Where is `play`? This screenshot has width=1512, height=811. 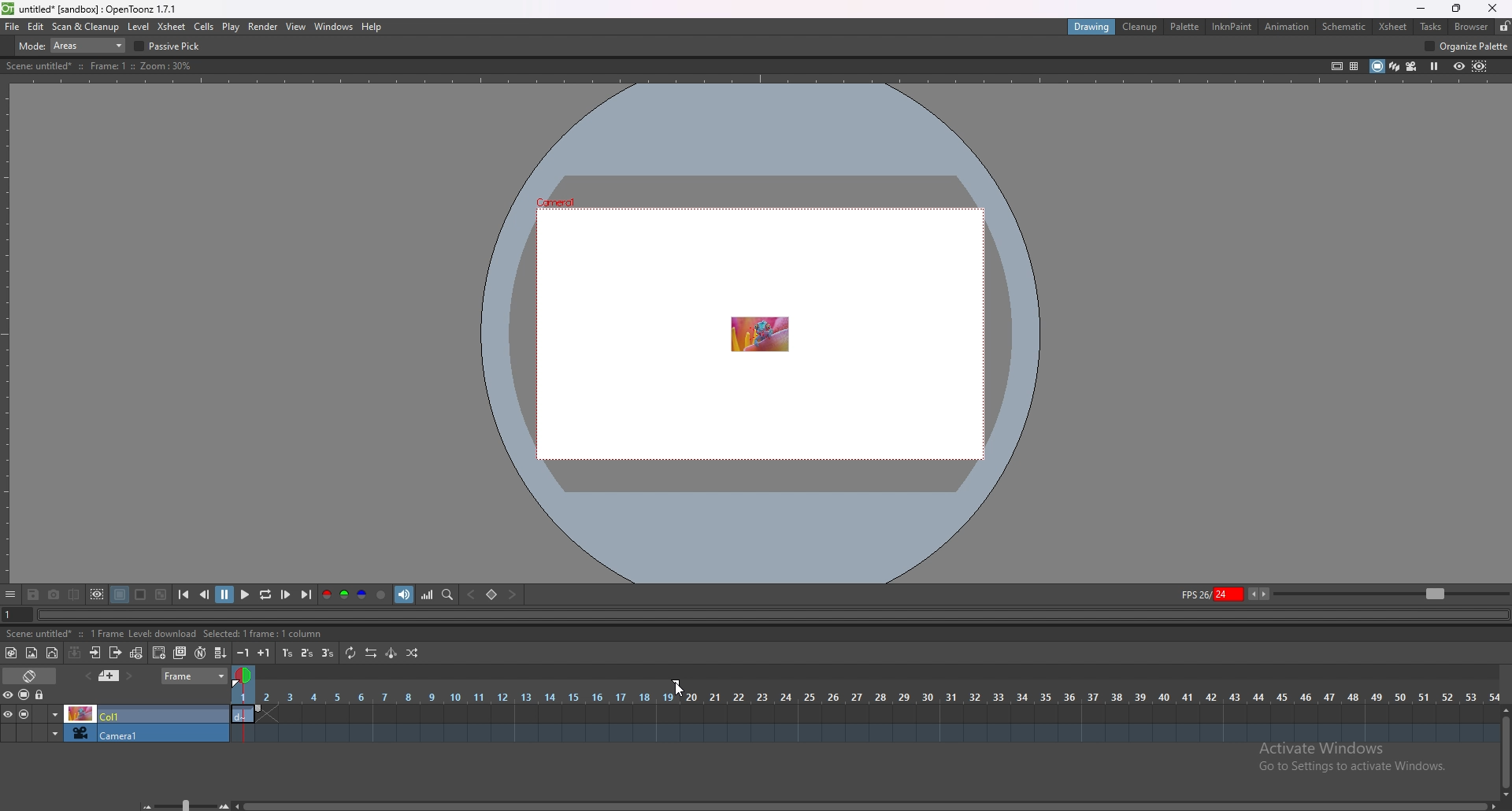
play is located at coordinates (231, 28).